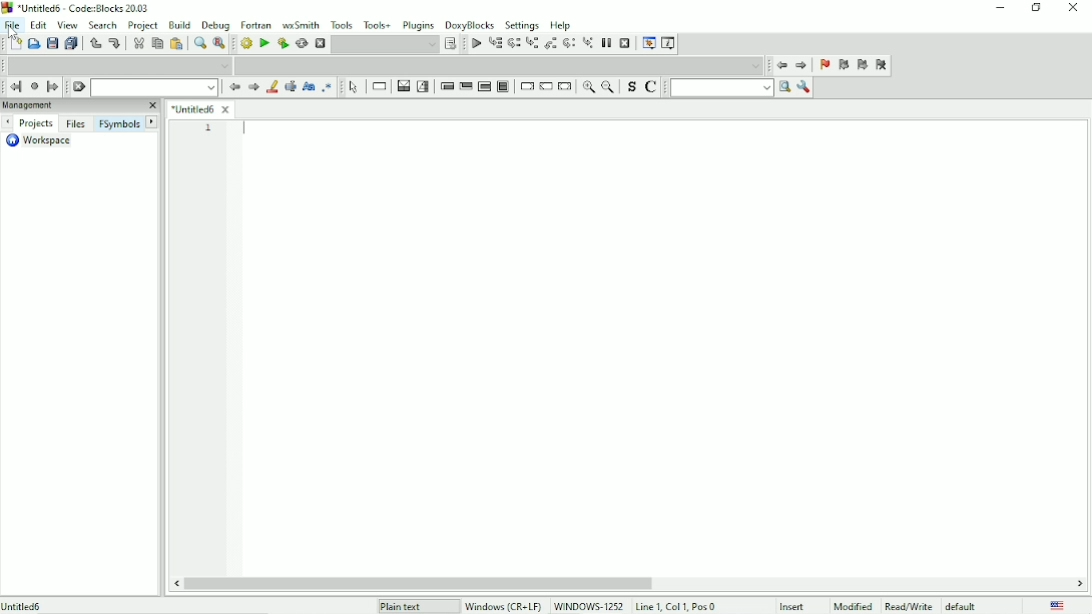 The height and width of the screenshot is (614, 1092). Describe the element at coordinates (353, 88) in the screenshot. I see `Select` at that location.